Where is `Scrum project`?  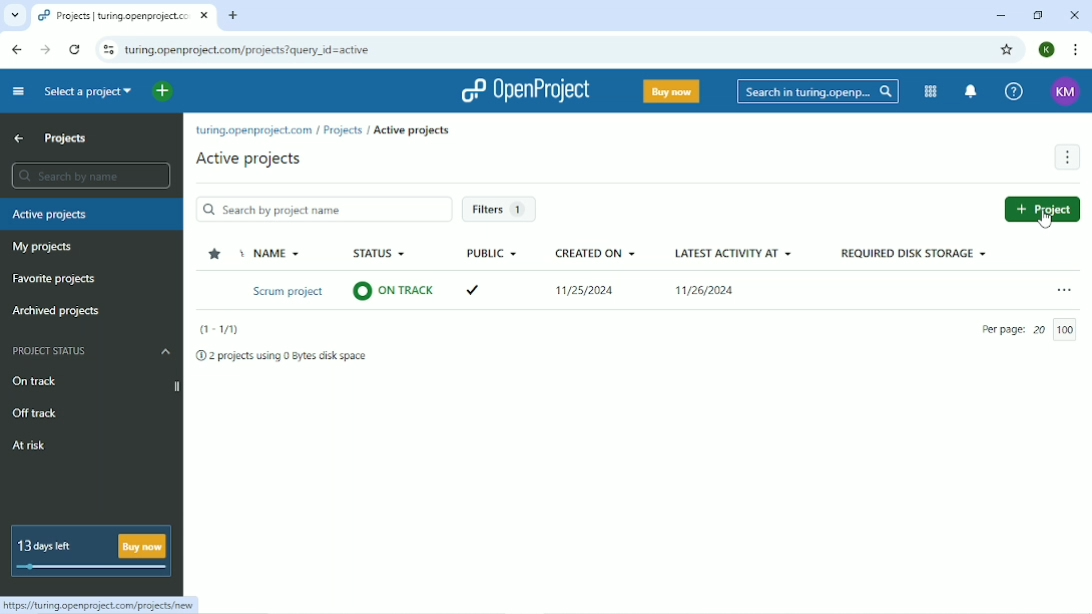
Scrum project is located at coordinates (286, 292).